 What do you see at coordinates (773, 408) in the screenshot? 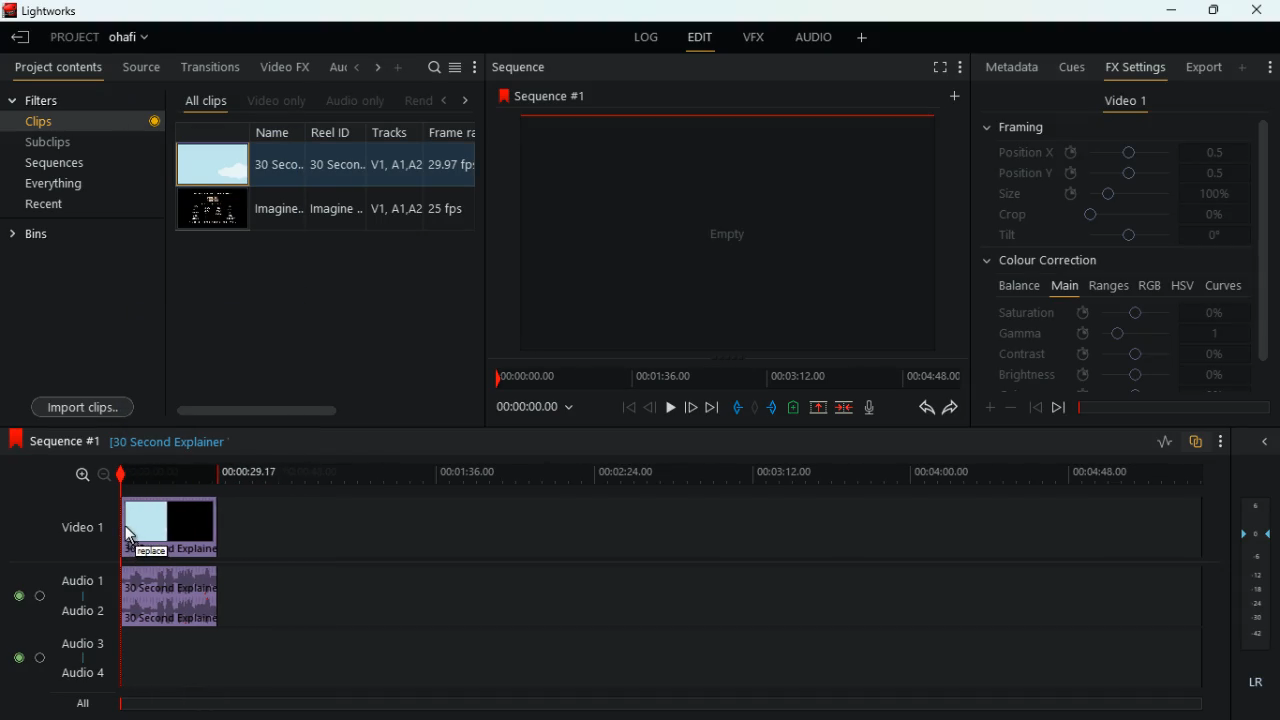
I see `push` at bounding box center [773, 408].